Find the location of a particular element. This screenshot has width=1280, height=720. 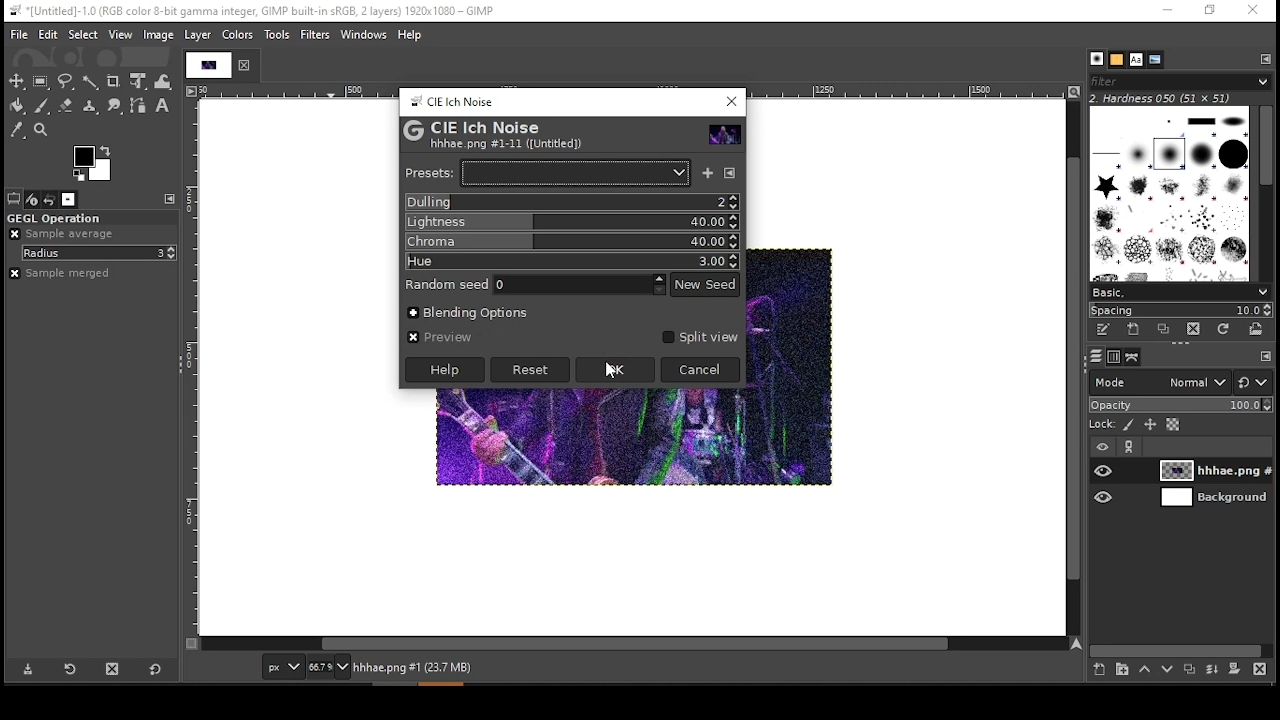

*[untitled]-1.0(rgb color 8-bit gamma integer, gimp built-in sRGB, 2 layers) 1920x1080  - gimp is located at coordinates (253, 10).